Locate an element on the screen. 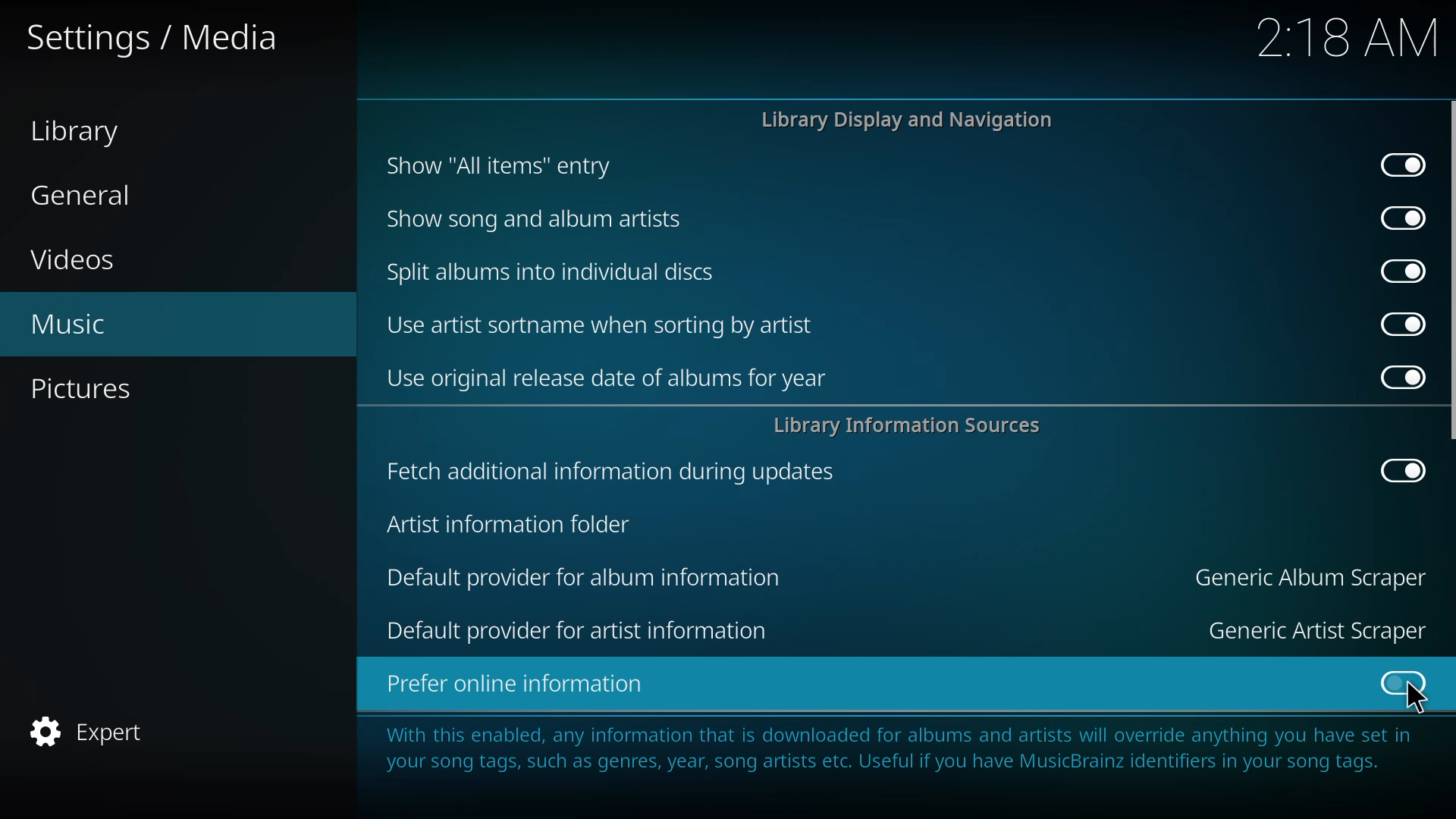  artist info folder is located at coordinates (516, 523).